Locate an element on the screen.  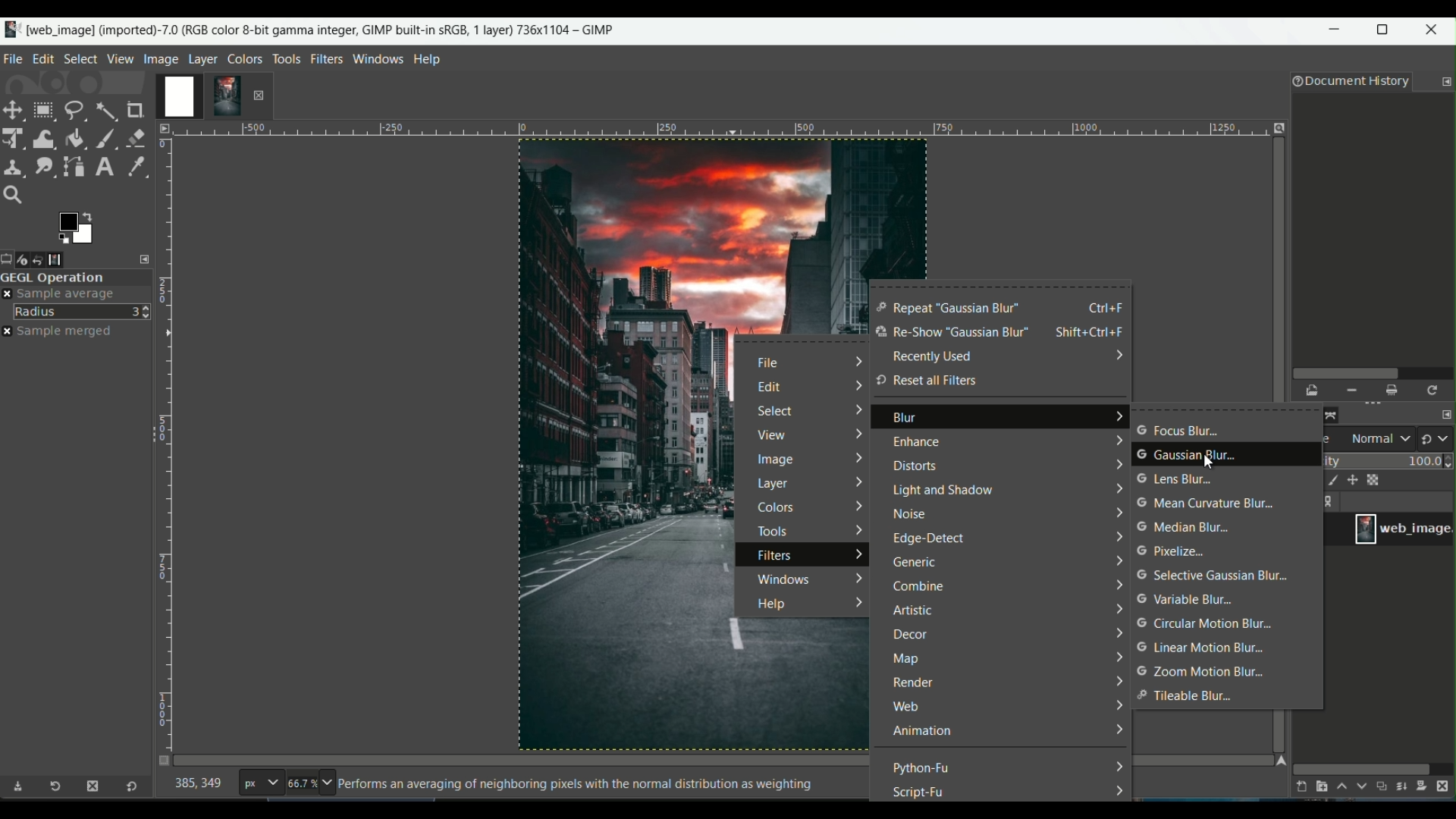
raise layer is located at coordinates (1340, 789).